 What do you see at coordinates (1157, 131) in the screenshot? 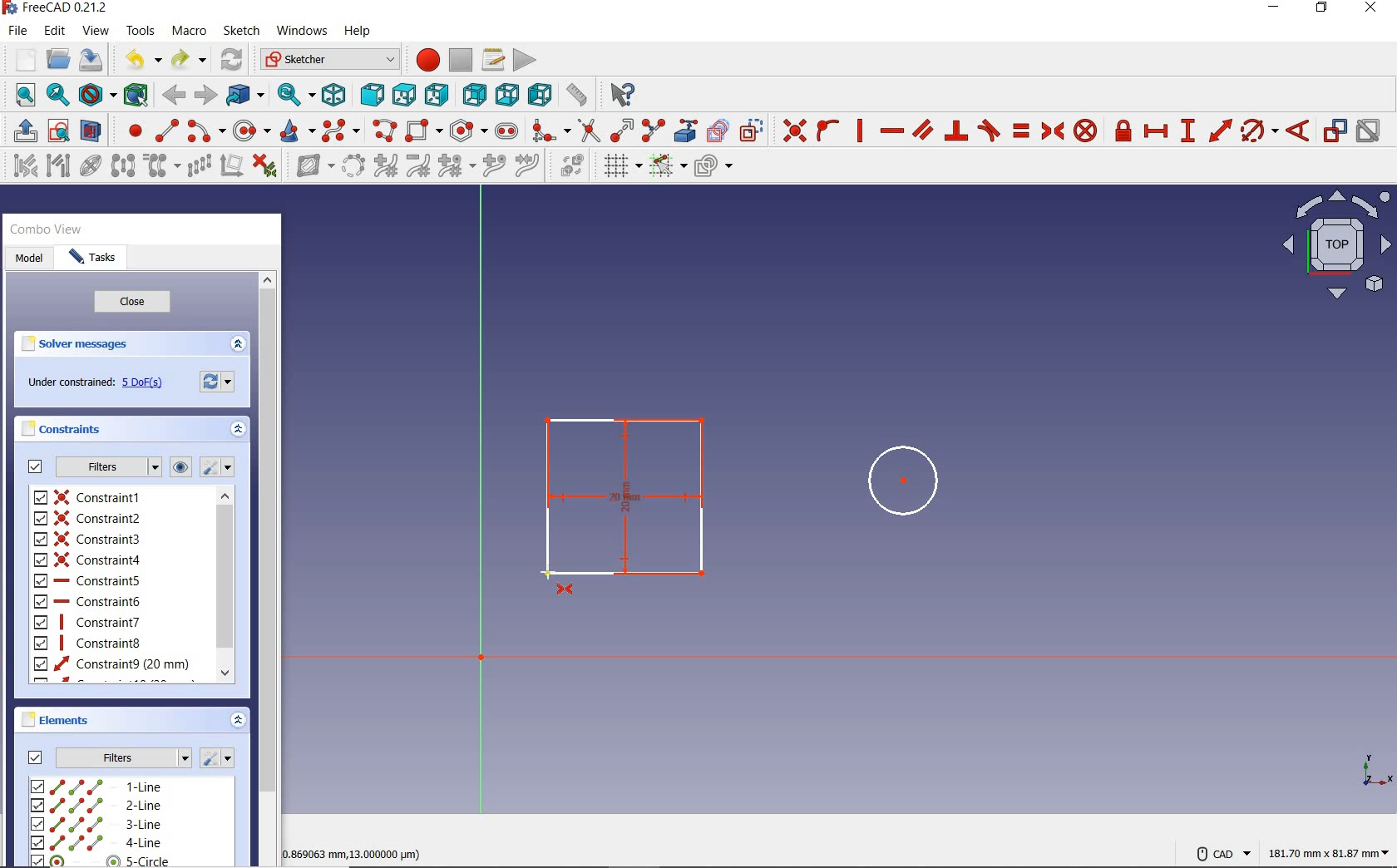
I see `constrain horizontal distance` at bounding box center [1157, 131].